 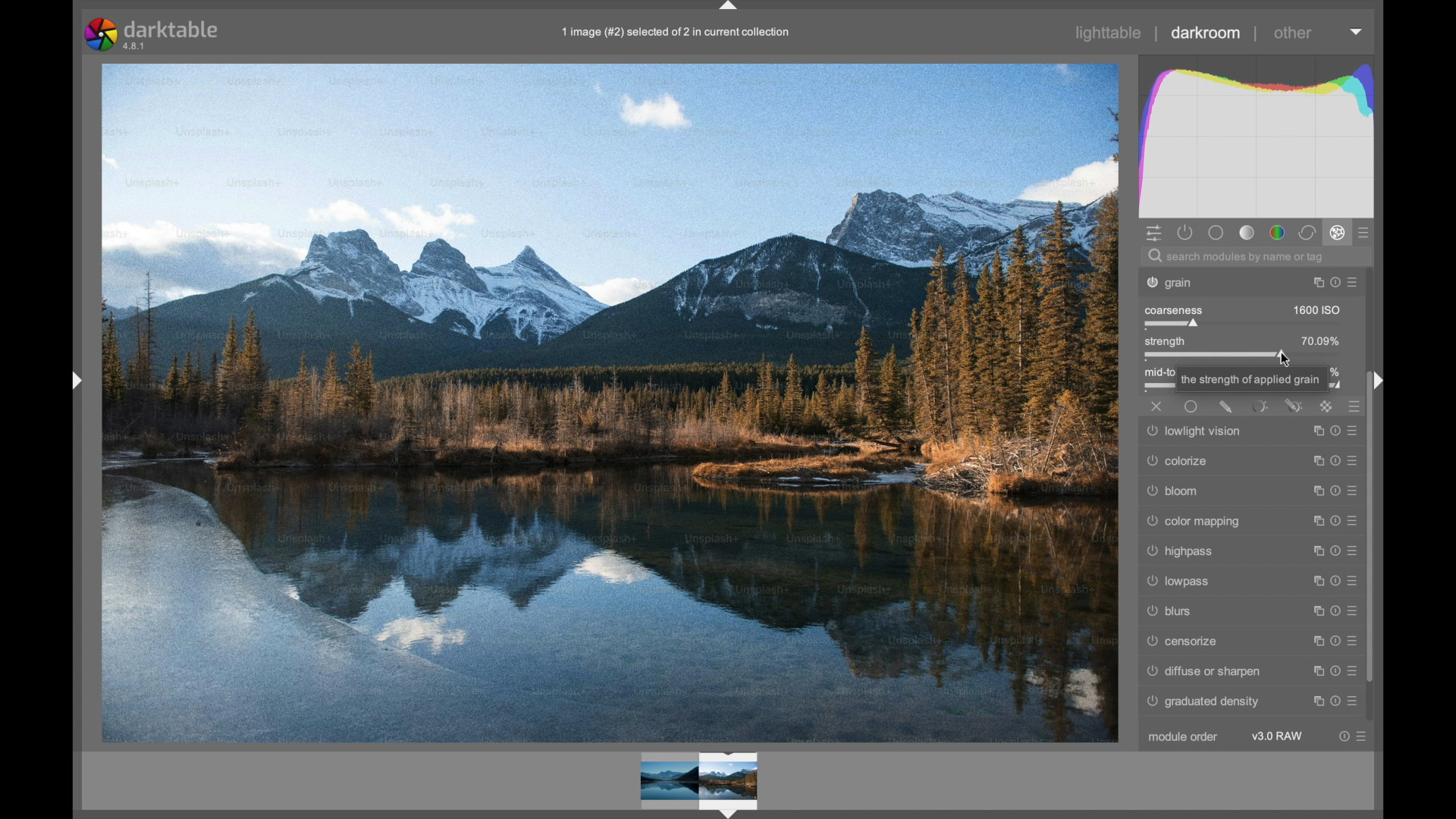 I want to click on presets, so click(x=1355, y=461).